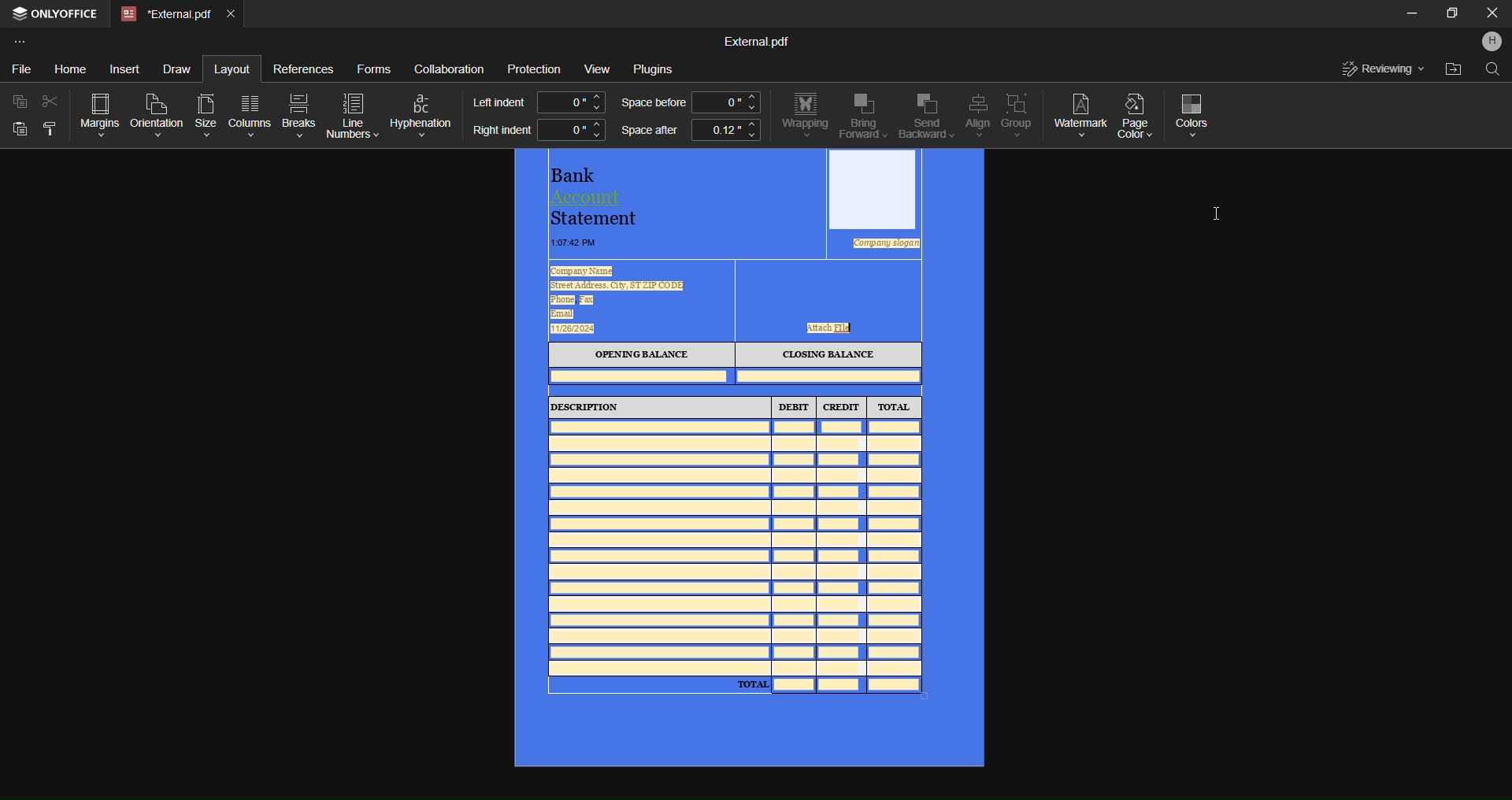 Image resolution: width=1512 pixels, height=800 pixels. What do you see at coordinates (233, 16) in the screenshot?
I see `Close tab` at bounding box center [233, 16].